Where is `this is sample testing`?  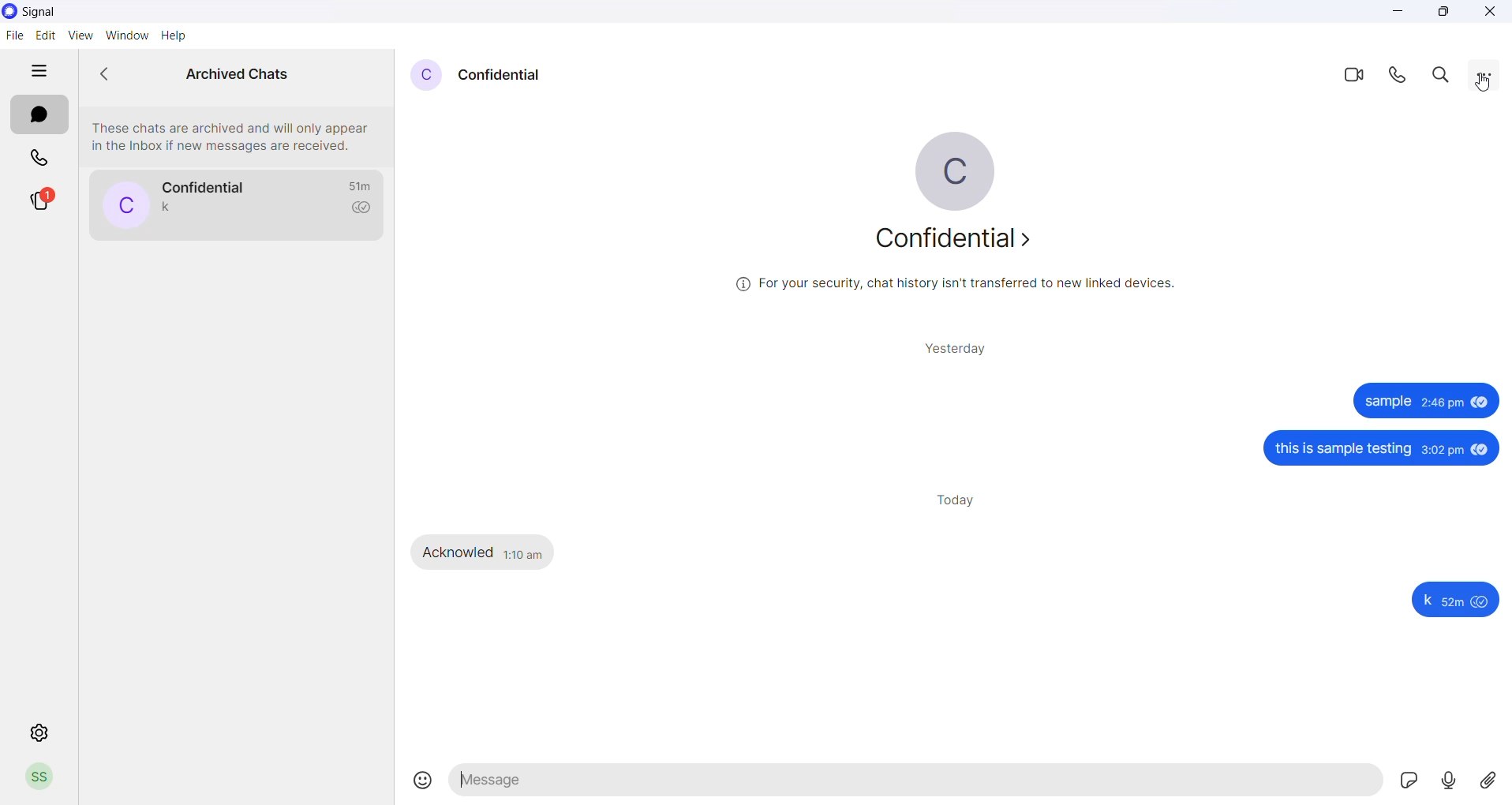 this is sample testing is located at coordinates (1342, 450).